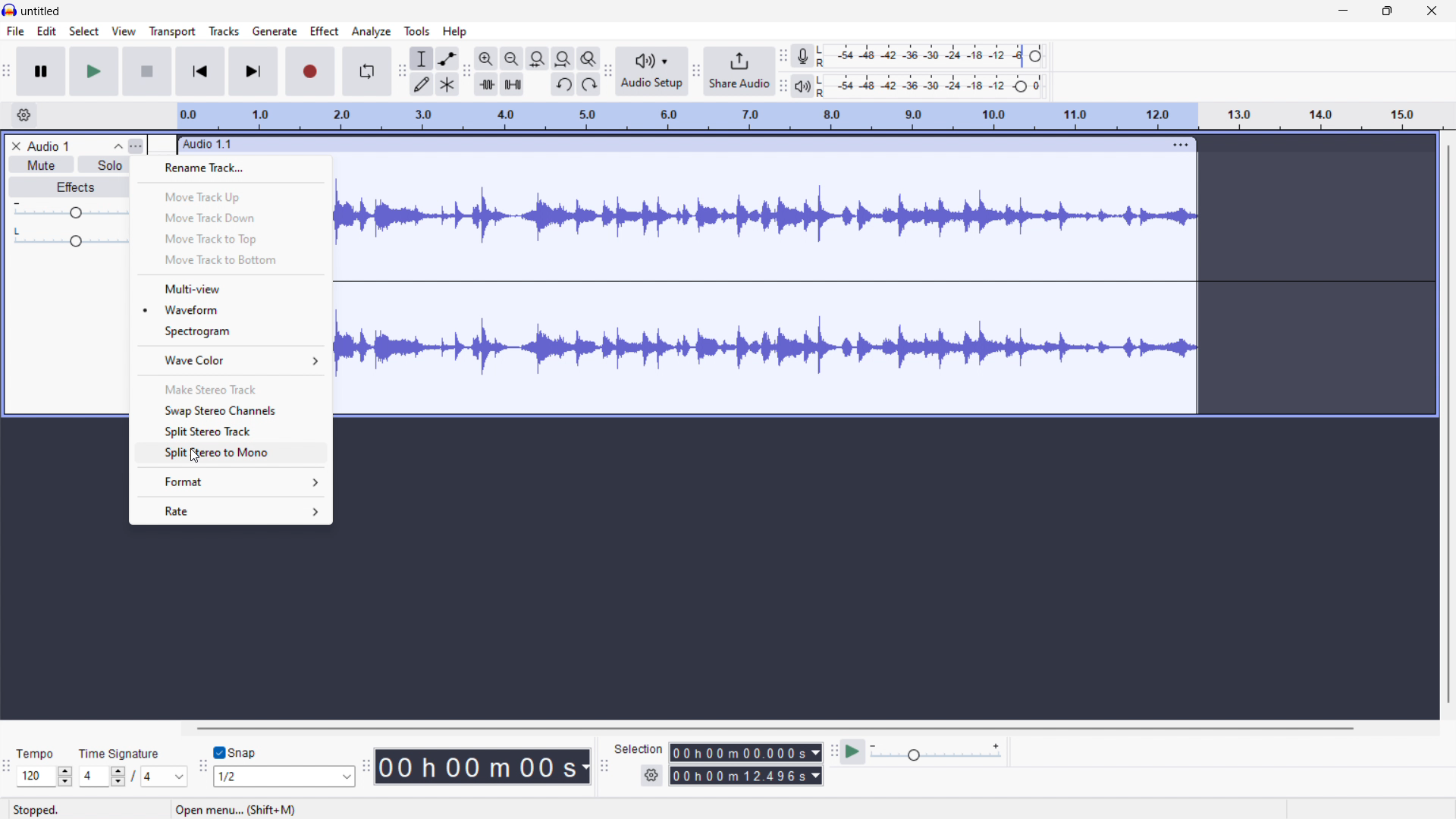 This screenshot has height=819, width=1456. Describe the element at coordinates (179, 777) in the screenshot. I see `Drop down` at that location.